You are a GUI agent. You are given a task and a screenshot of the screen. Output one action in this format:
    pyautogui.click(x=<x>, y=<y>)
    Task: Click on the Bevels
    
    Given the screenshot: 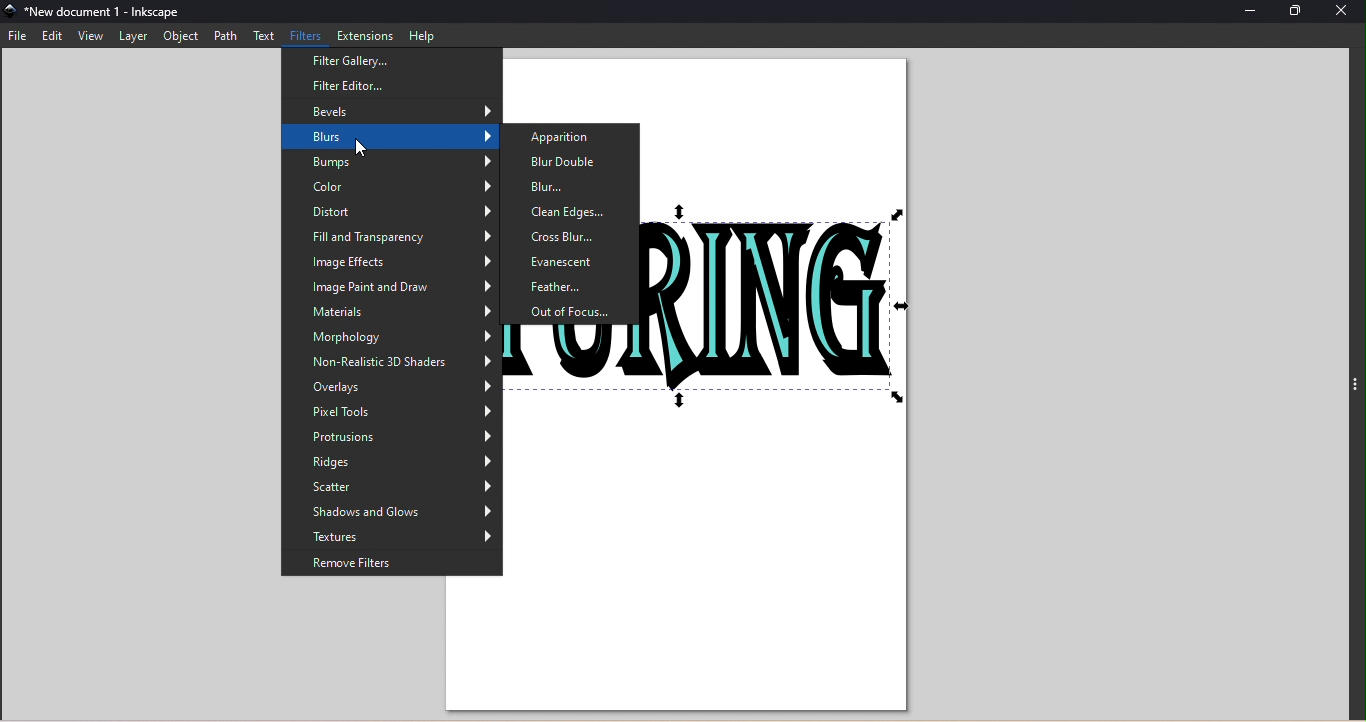 What is the action you would take?
    pyautogui.click(x=391, y=111)
    